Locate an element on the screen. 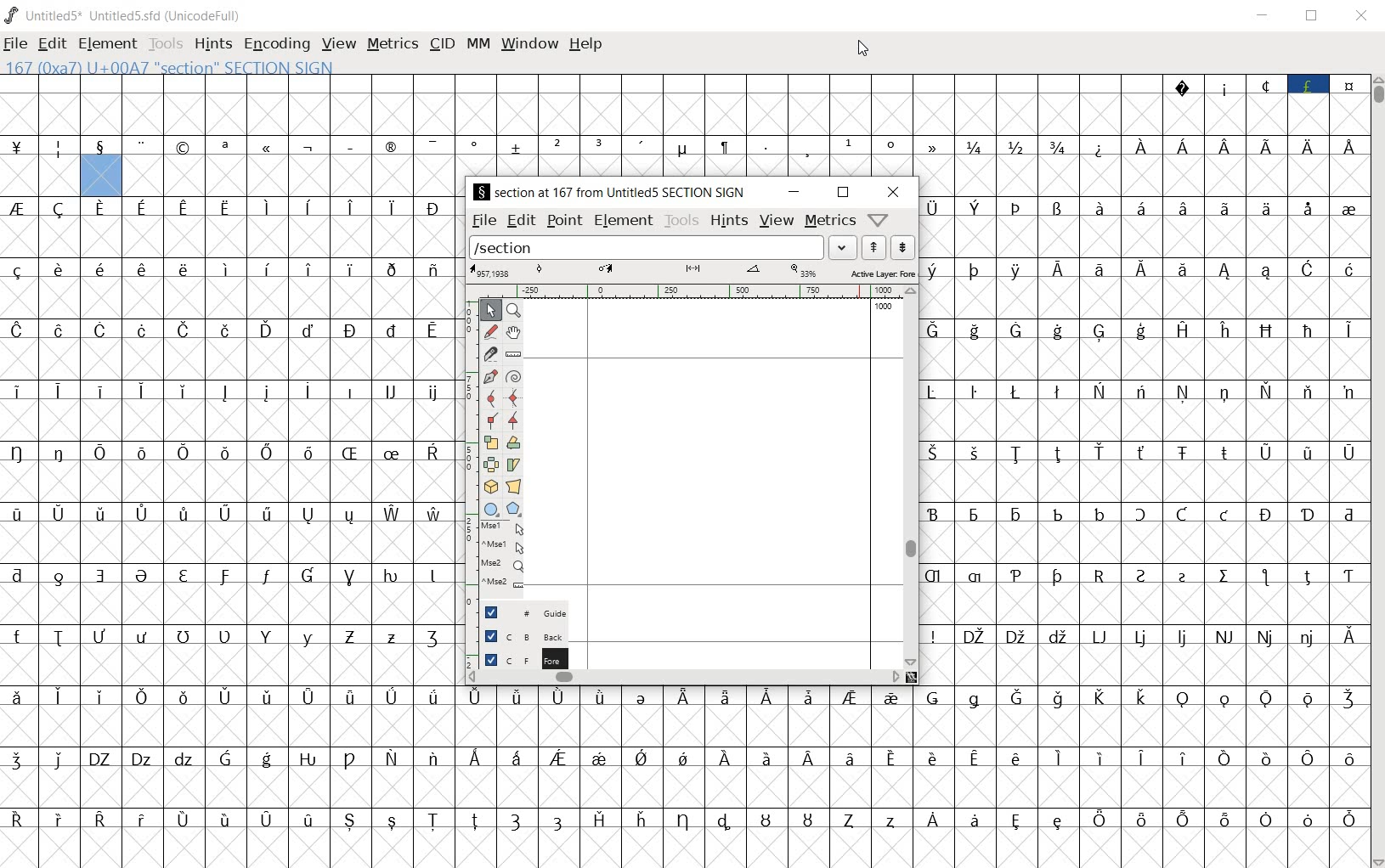  mm is located at coordinates (476, 44).